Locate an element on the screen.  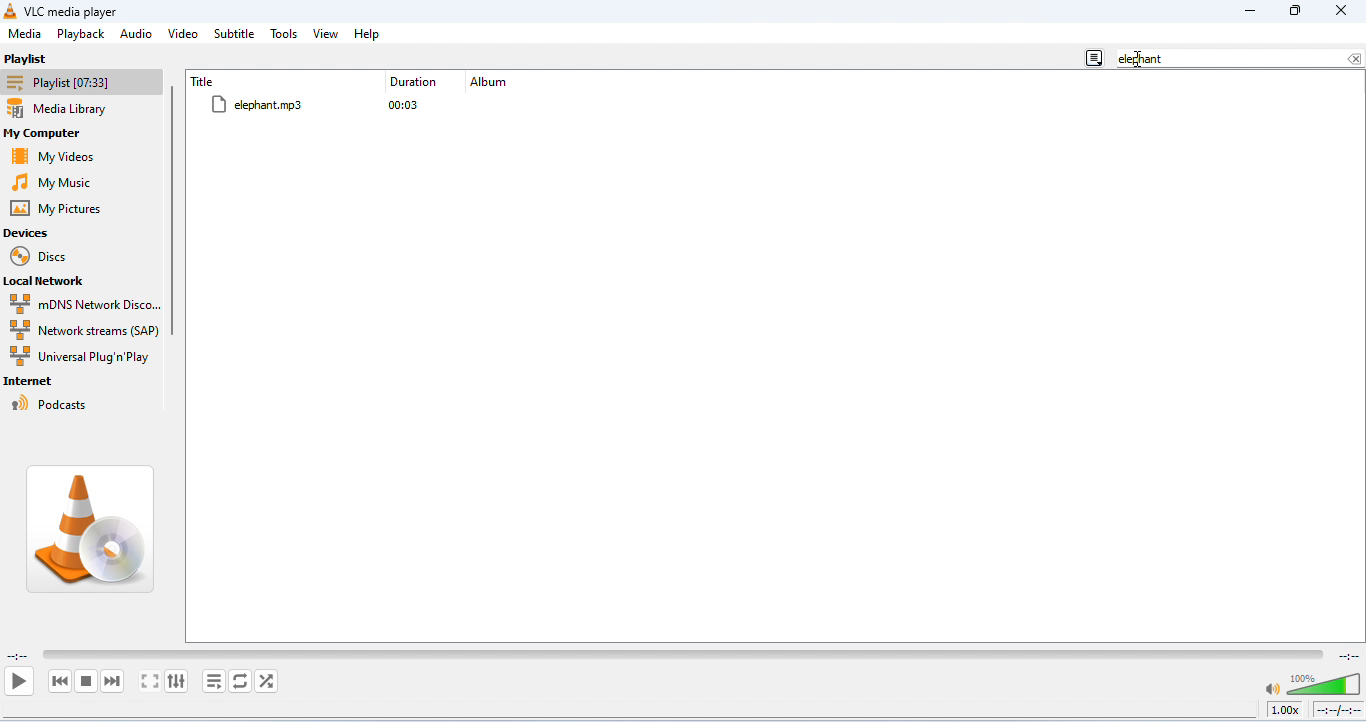
album is located at coordinates (492, 84).